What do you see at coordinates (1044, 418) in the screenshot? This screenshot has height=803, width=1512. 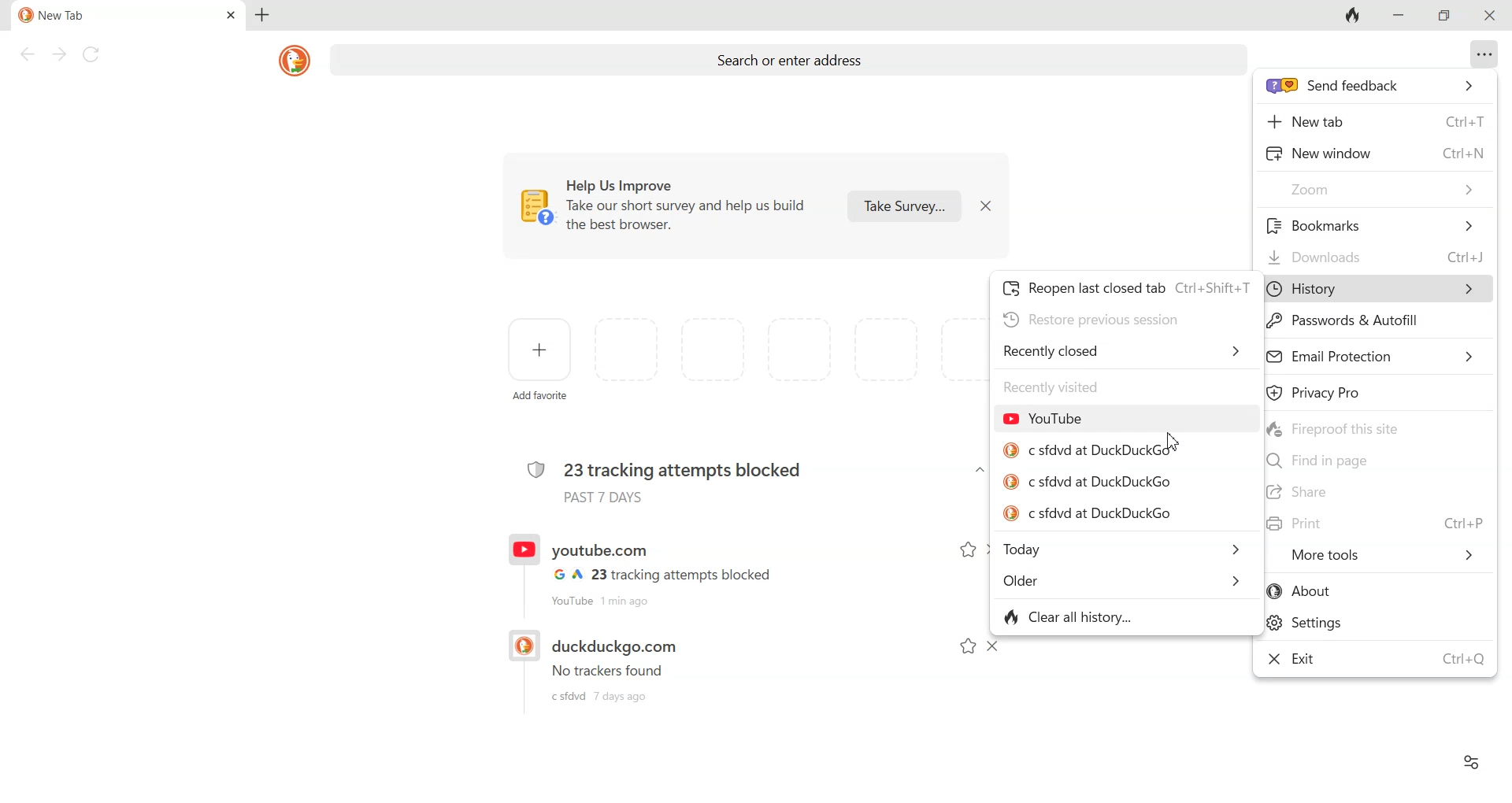 I see `YouTube` at bounding box center [1044, 418].